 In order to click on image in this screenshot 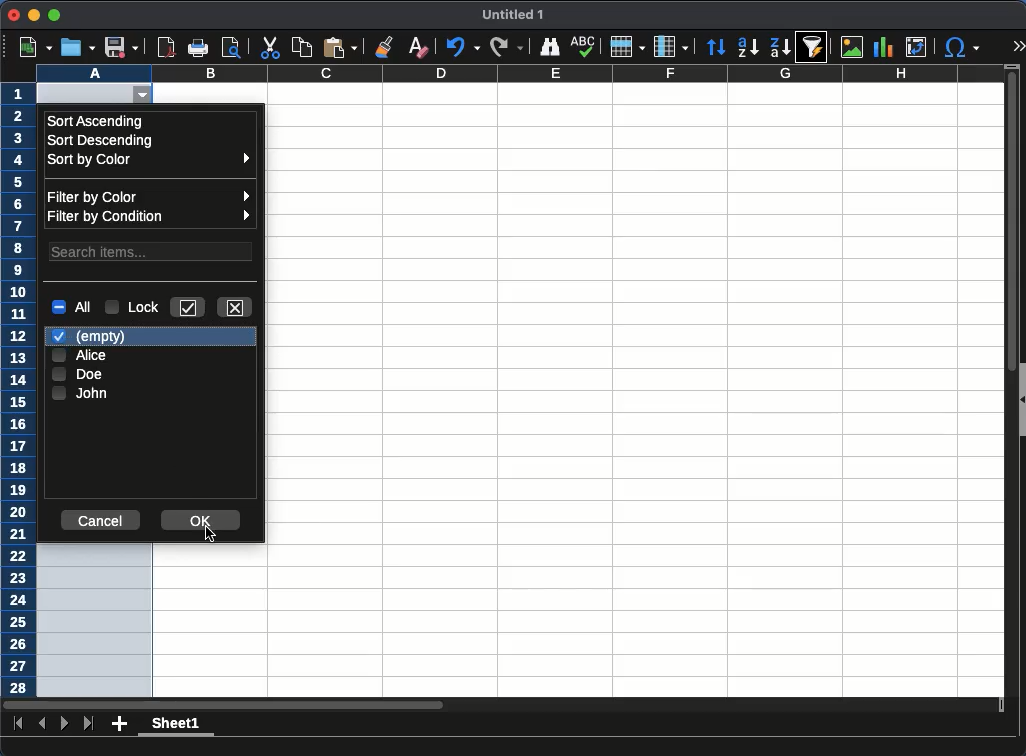, I will do `click(852, 46)`.